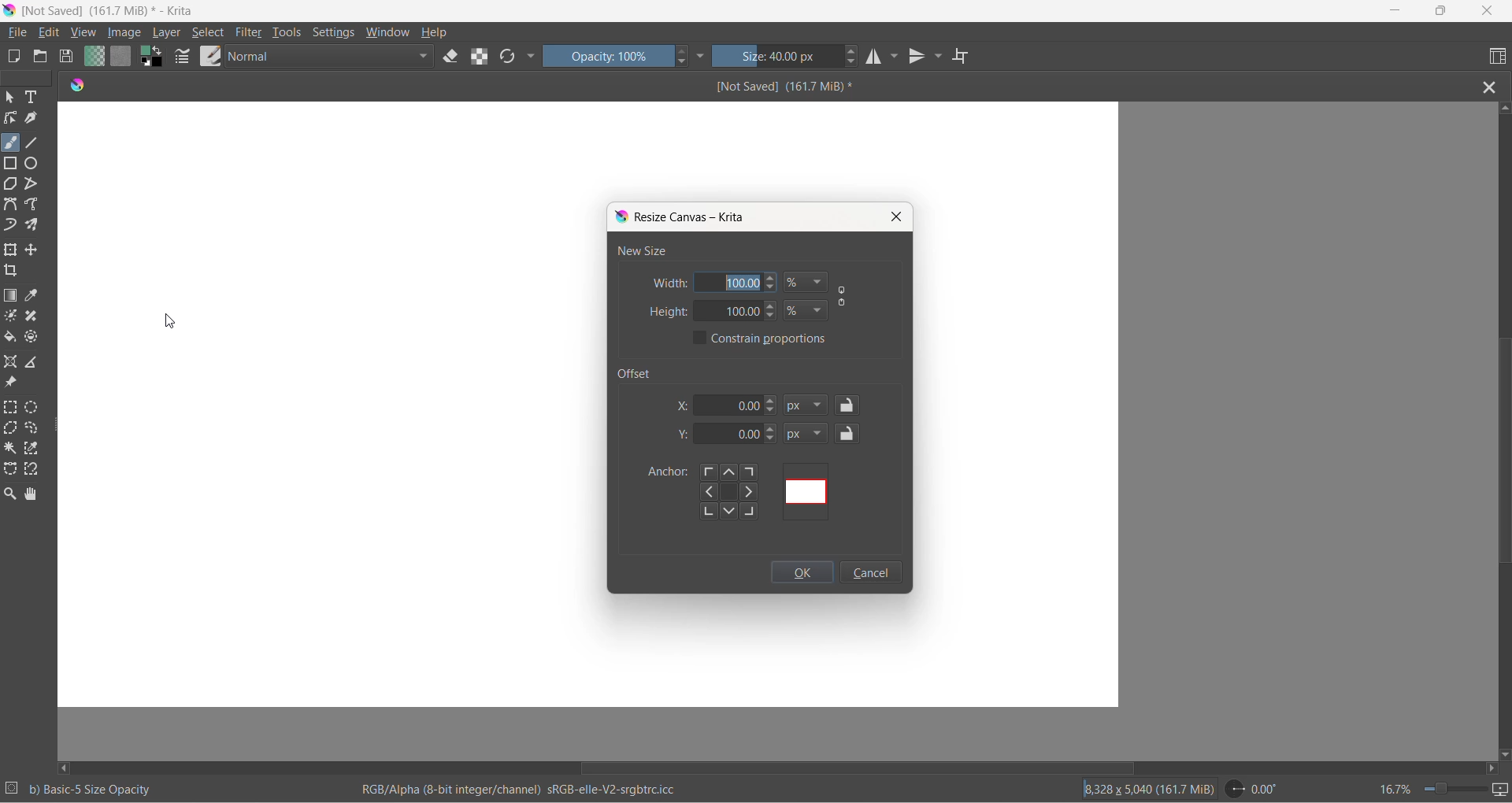 Image resolution: width=1512 pixels, height=803 pixels. I want to click on set eraser tool, so click(451, 56).